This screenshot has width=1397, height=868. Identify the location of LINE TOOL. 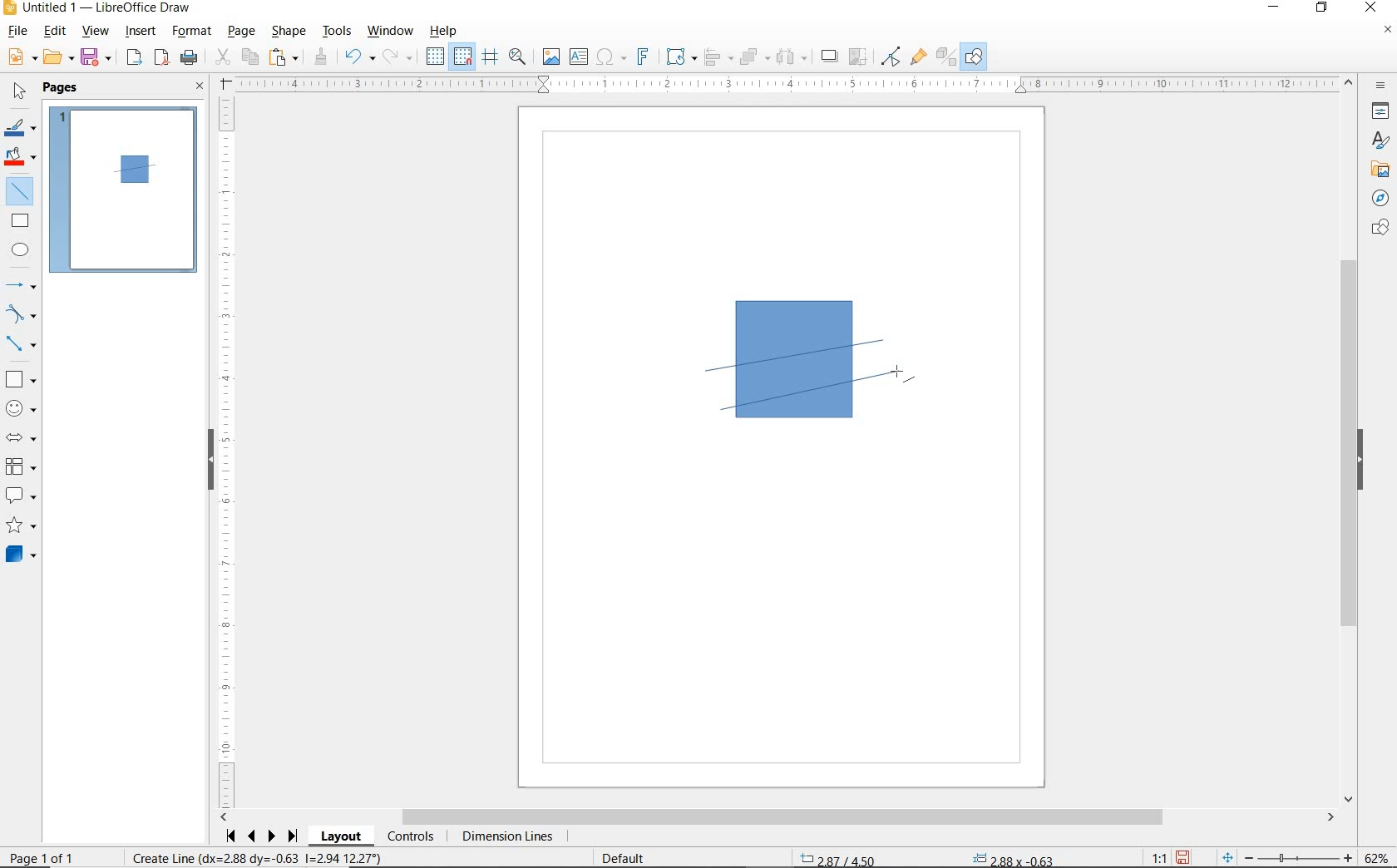
(729, 413).